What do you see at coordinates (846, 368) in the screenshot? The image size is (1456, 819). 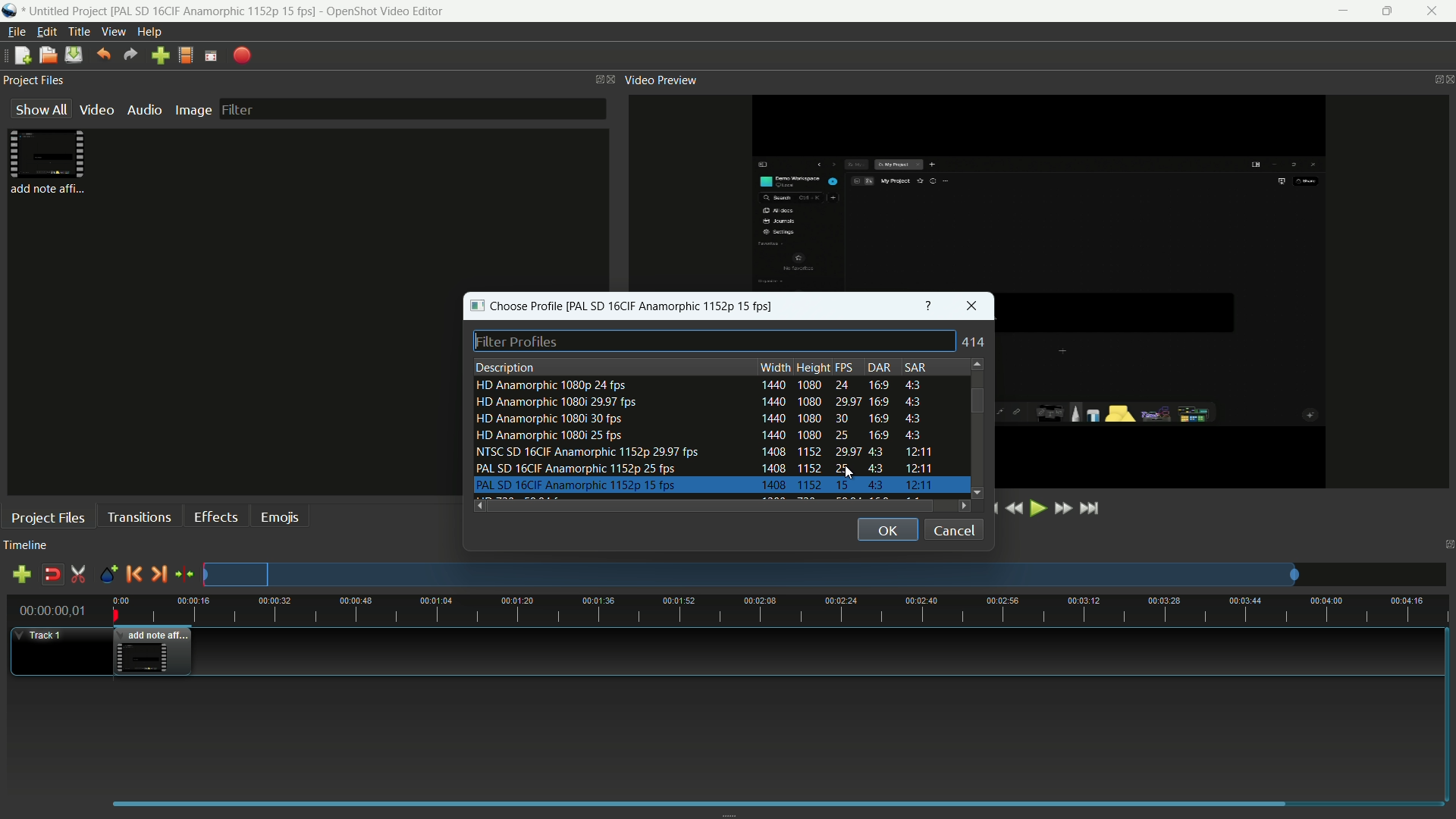 I see `fps` at bounding box center [846, 368].